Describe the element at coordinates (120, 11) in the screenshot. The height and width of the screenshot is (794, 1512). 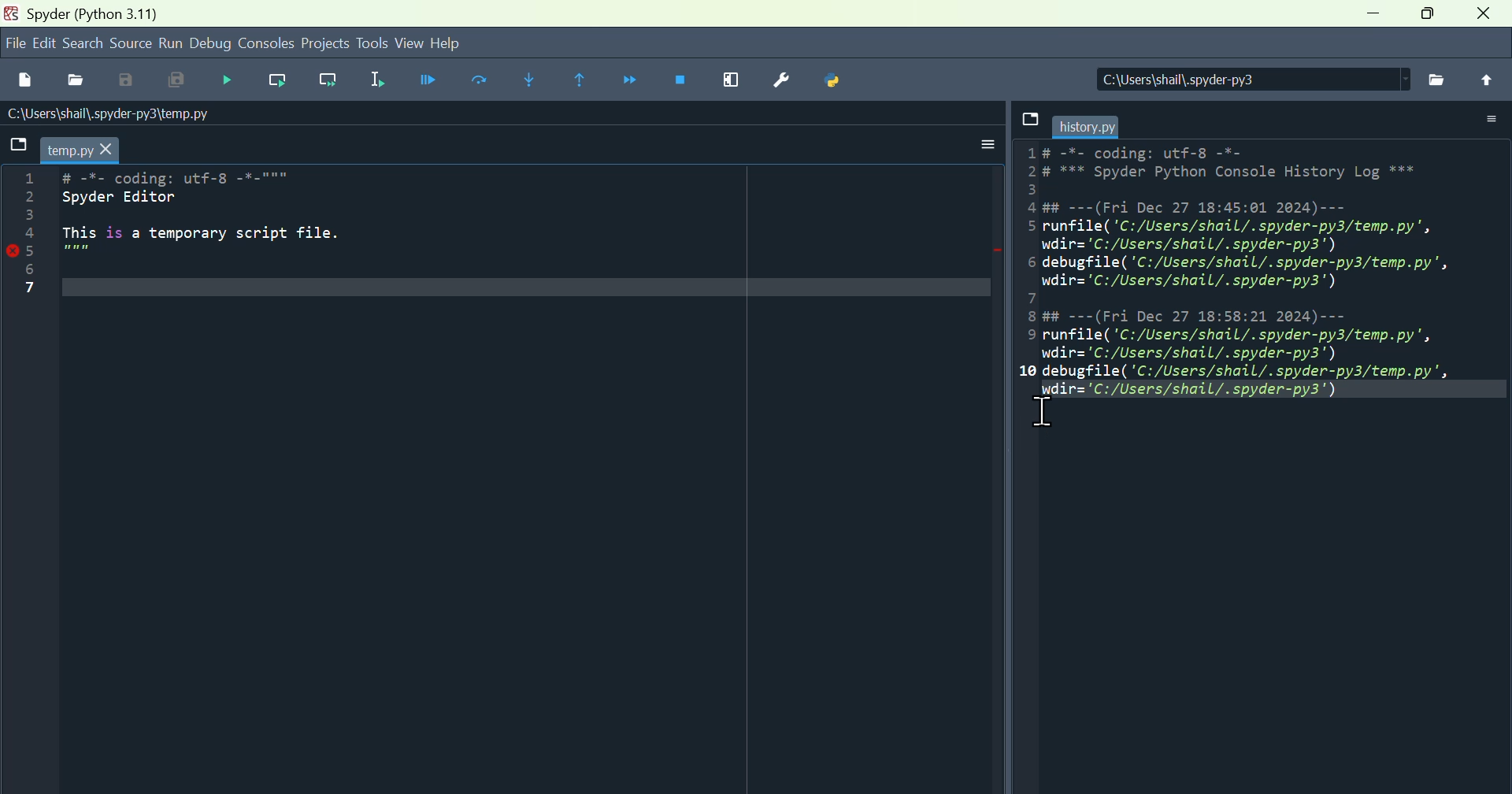
I see `Spider (python 3.11)` at that location.